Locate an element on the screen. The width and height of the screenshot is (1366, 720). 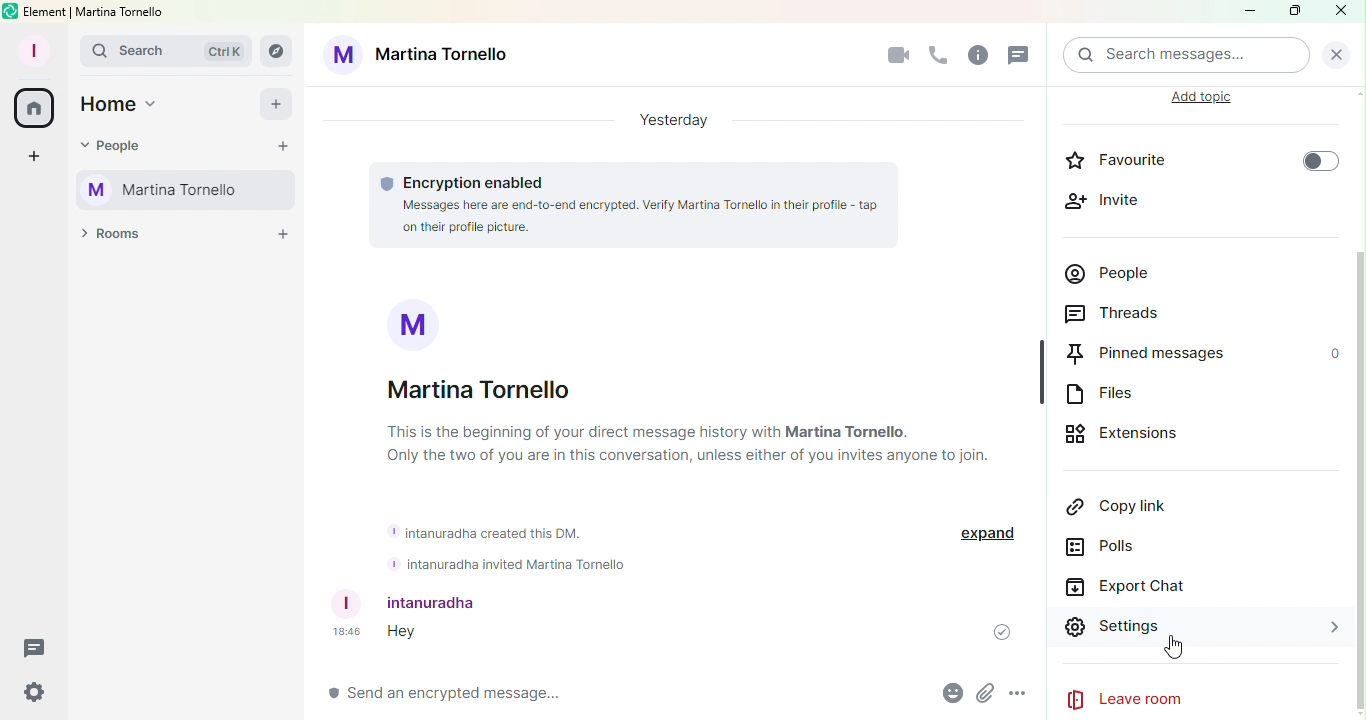
M is located at coordinates (417, 322).